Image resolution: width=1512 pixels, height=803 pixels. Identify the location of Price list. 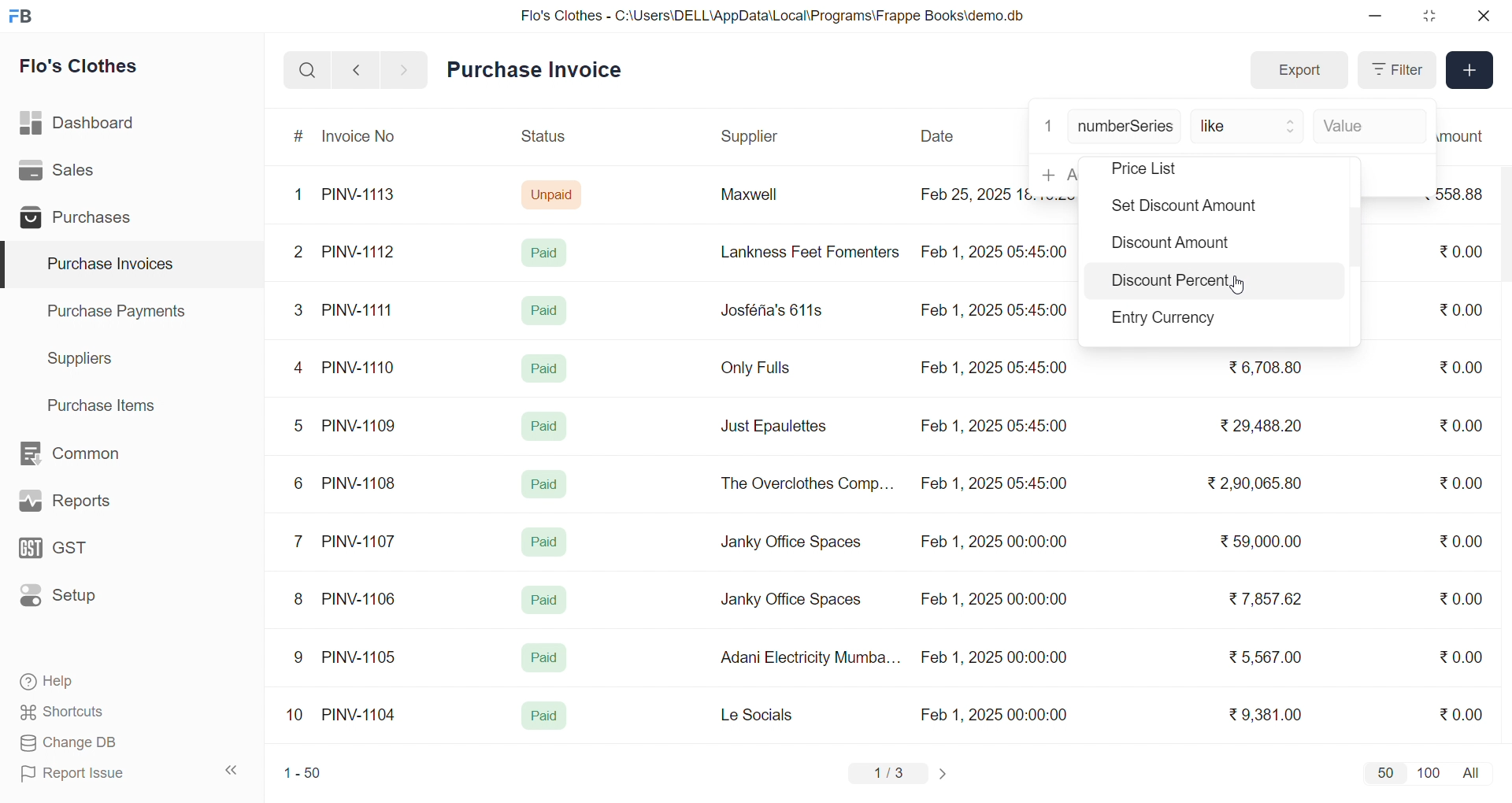
(1167, 169).